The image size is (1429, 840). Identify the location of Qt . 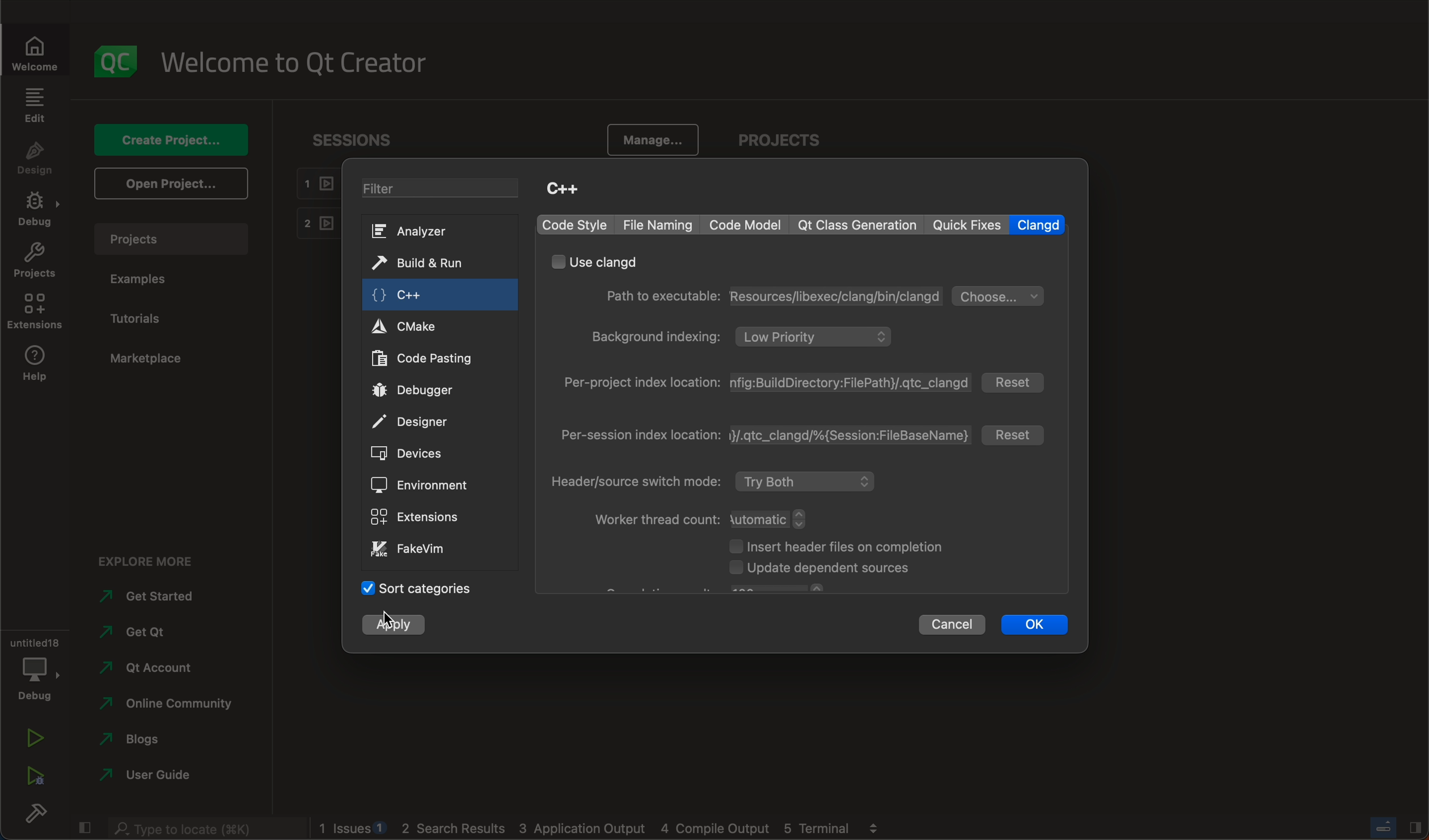
(425, 485).